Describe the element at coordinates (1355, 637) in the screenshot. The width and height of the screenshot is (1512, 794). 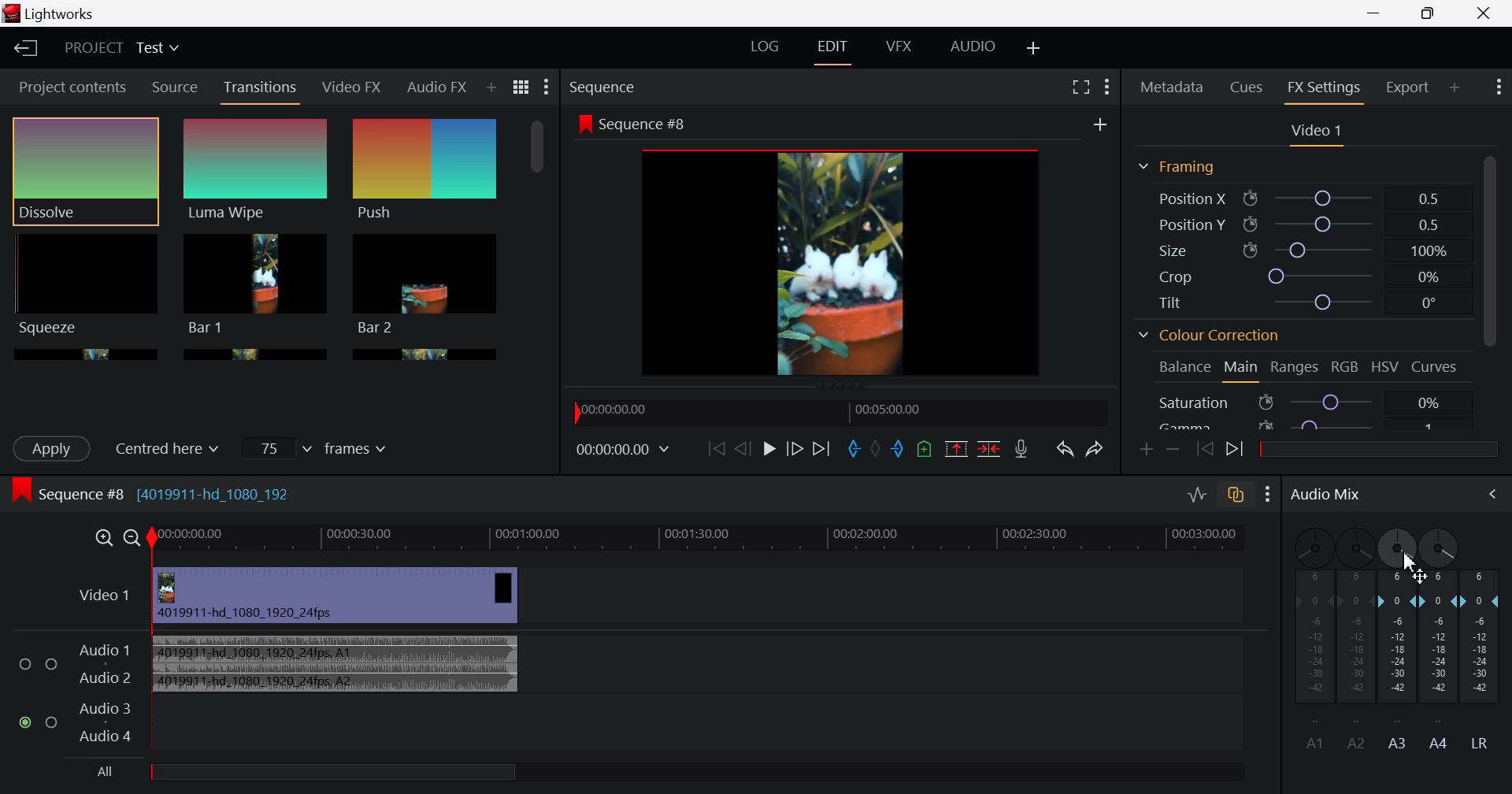
I see `A2 Channel Disabled` at that location.